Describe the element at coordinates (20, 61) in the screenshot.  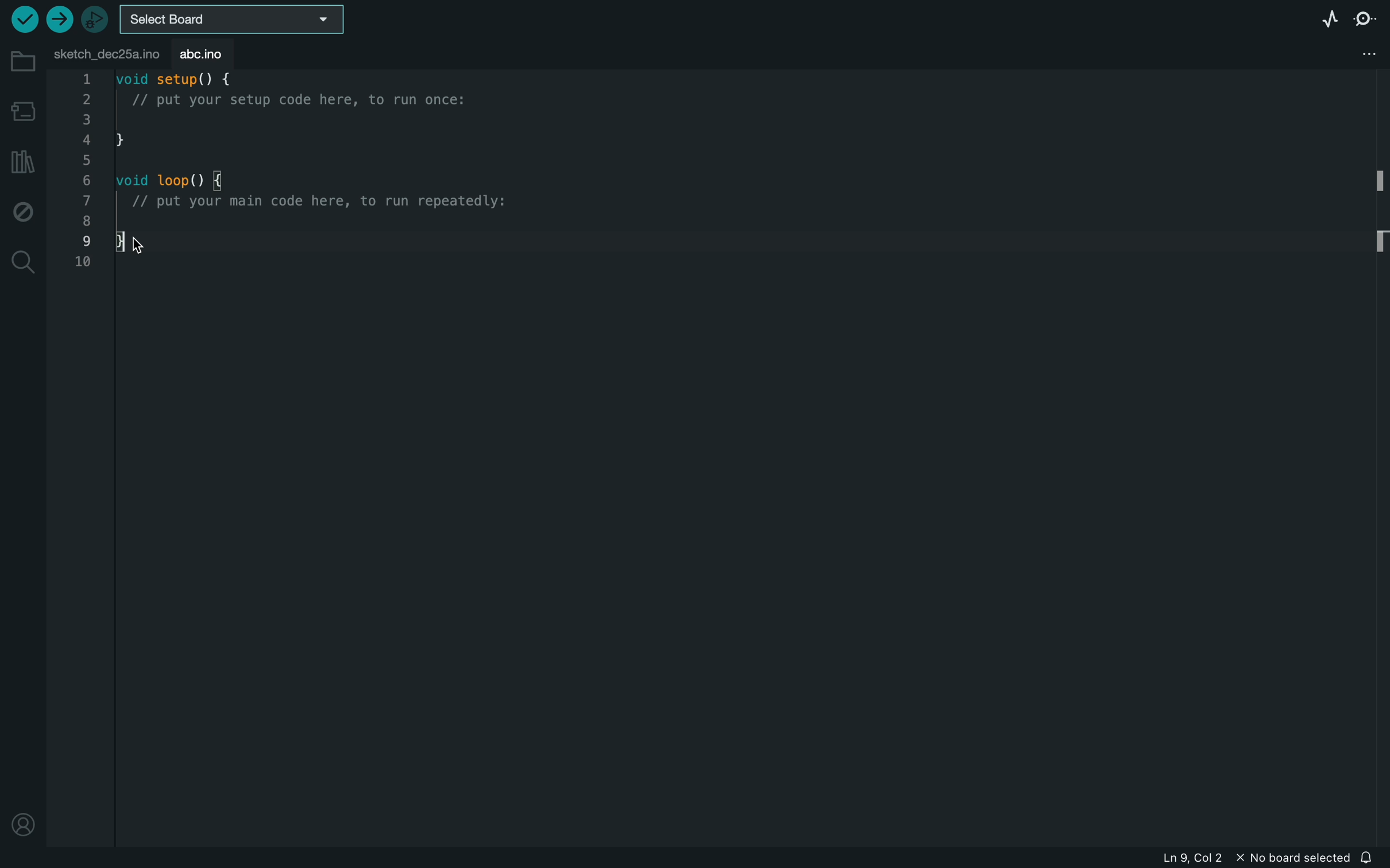
I see `folder` at that location.